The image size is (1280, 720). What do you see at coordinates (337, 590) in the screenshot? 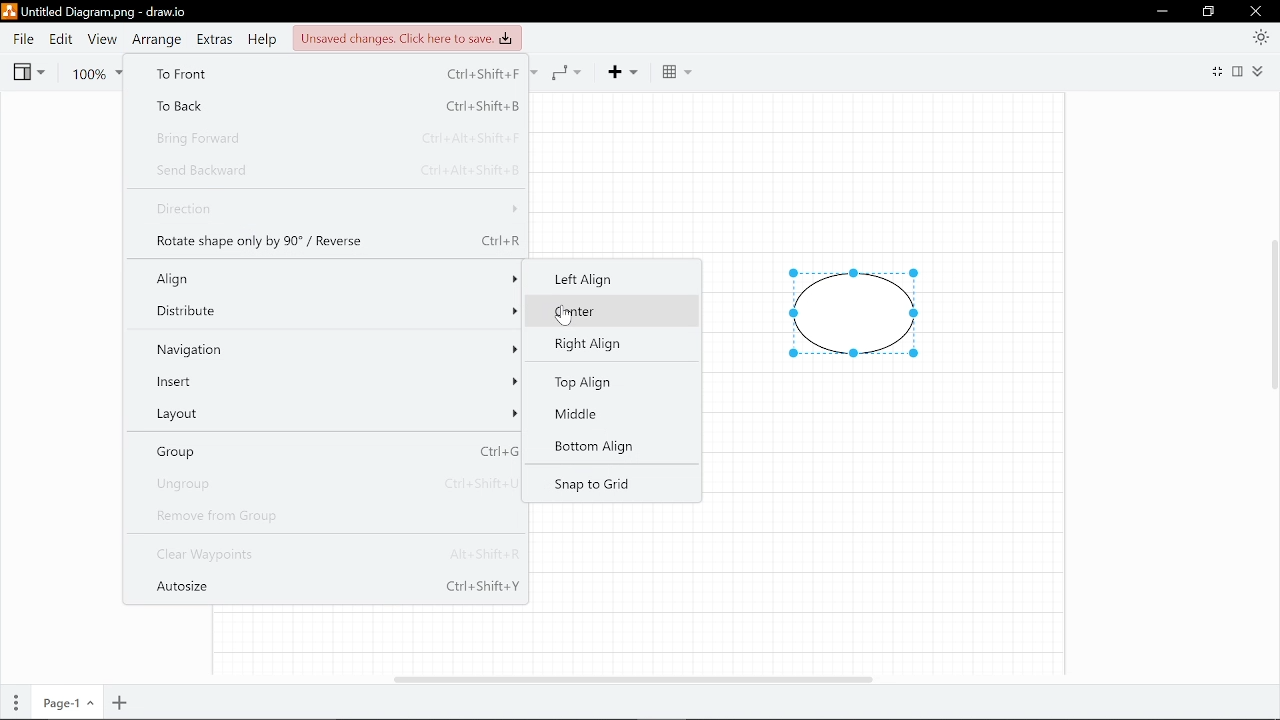
I see `Autosize` at bounding box center [337, 590].